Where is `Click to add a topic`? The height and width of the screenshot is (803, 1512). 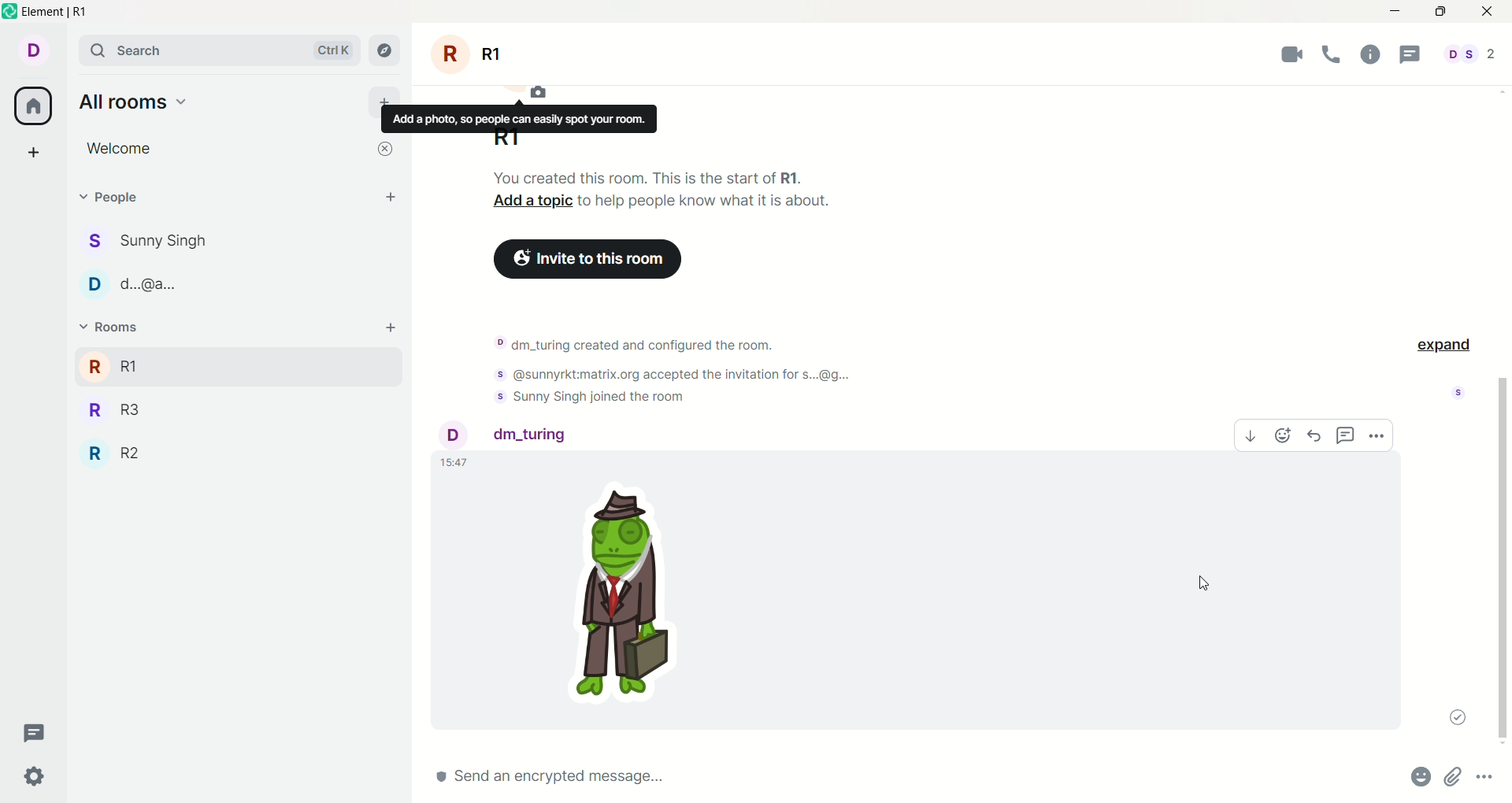 Click to add a topic is located at coordinates (532, 201).